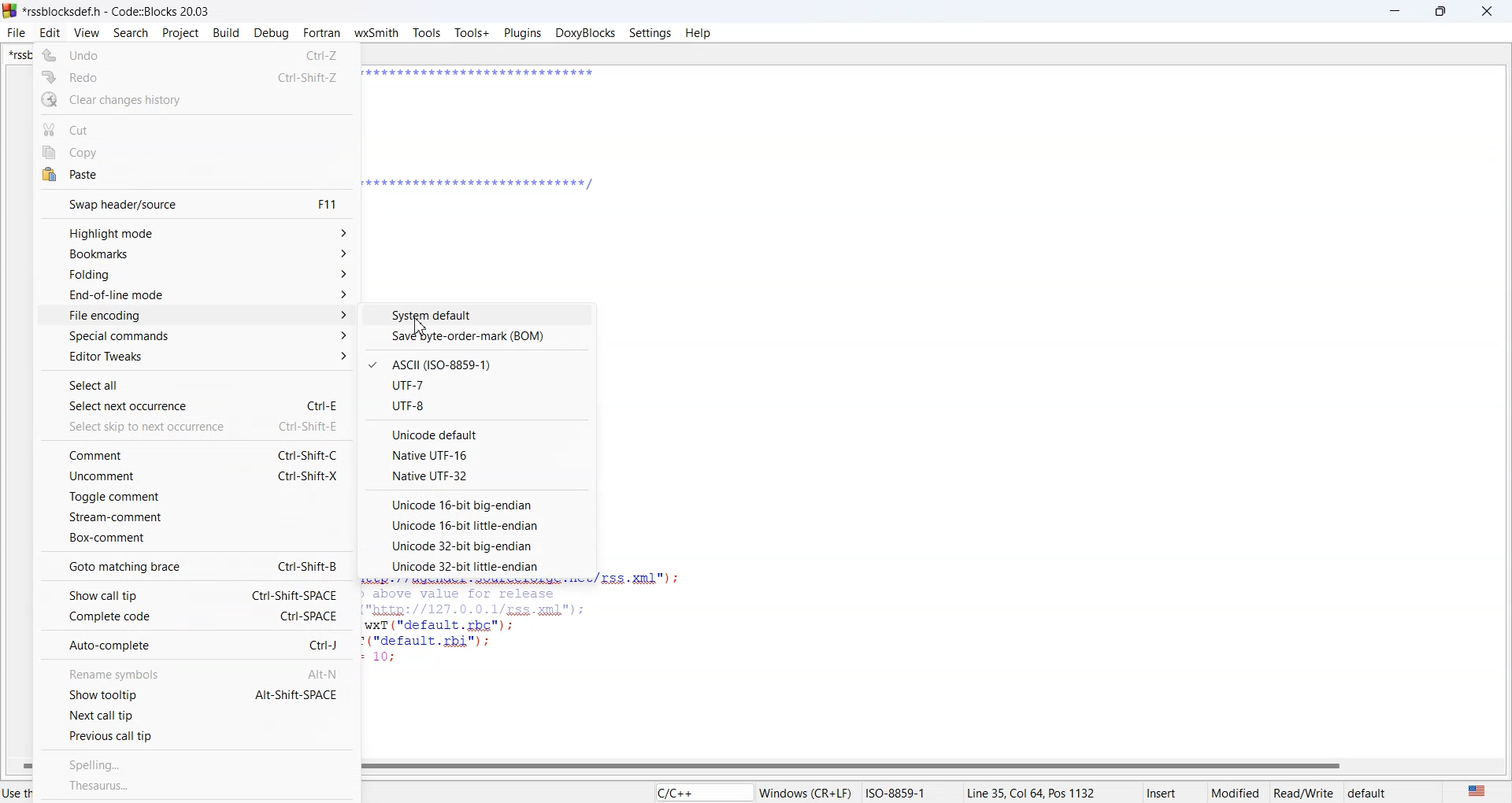  Describe the element at coordinates (199, 276) in the screenshot. I see `Folding` at that location.